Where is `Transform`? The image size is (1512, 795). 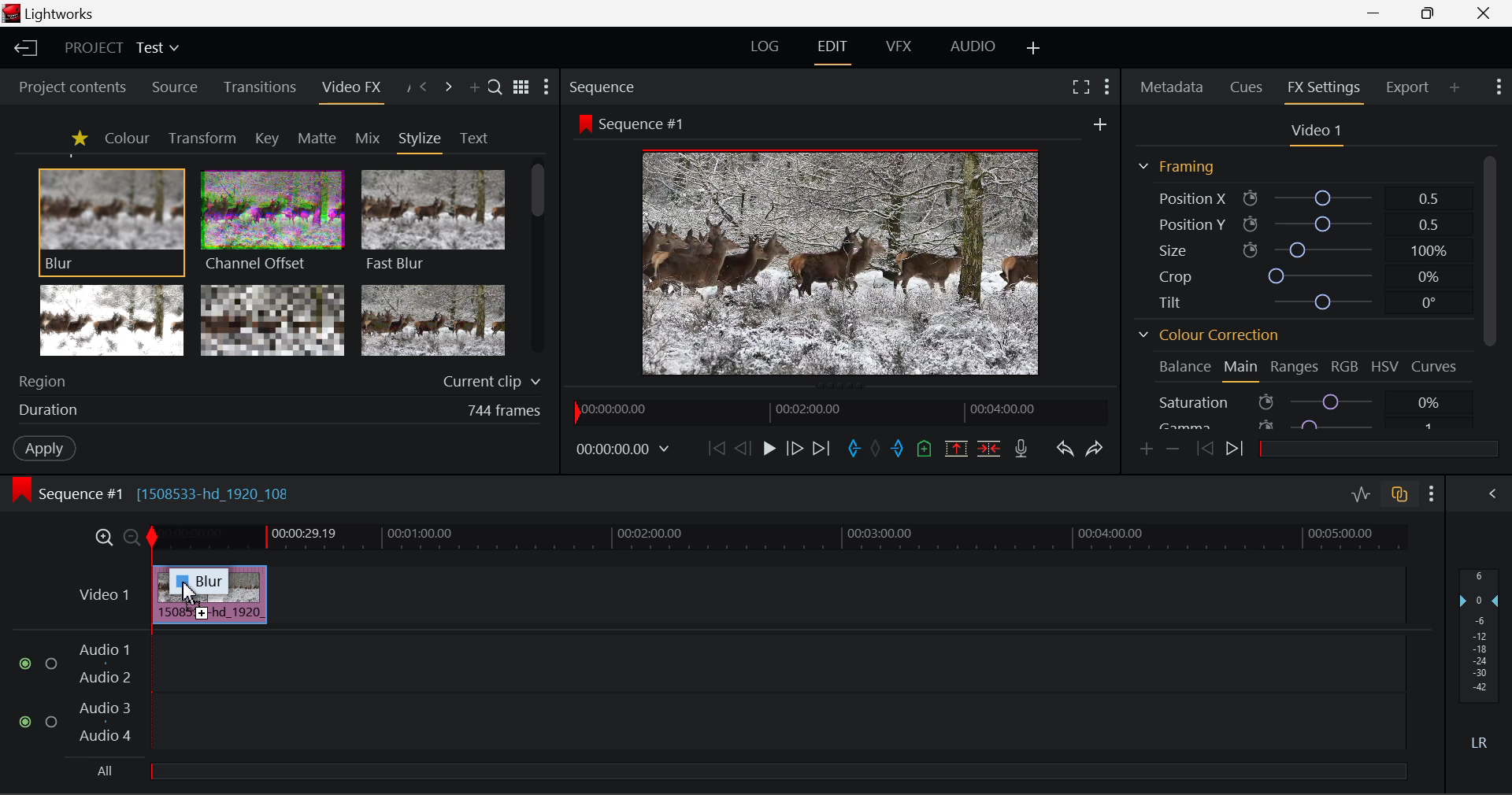
Transform is located at coordinates (202, 138).